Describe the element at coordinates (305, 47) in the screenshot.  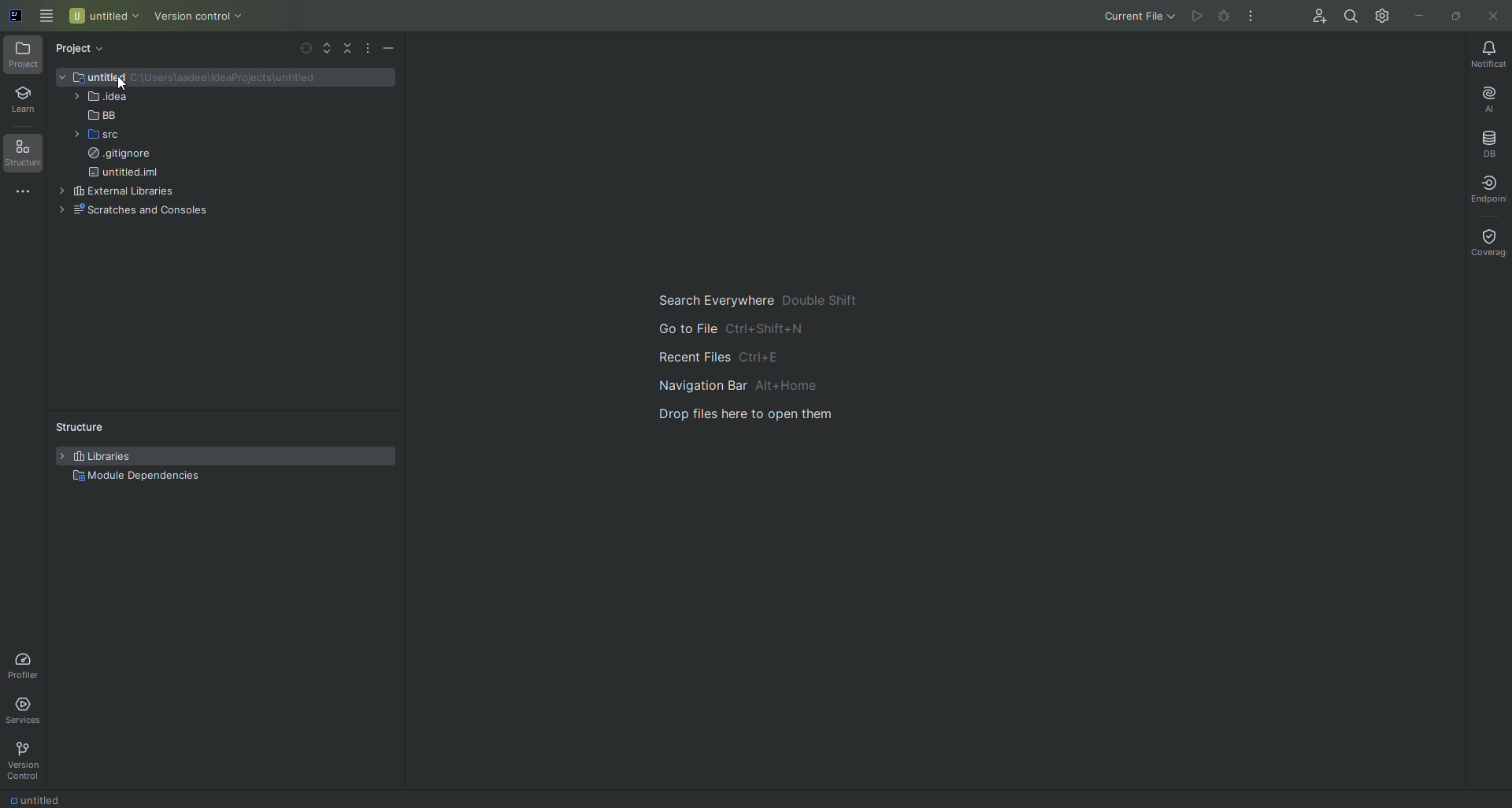
I see `Select` at that location.